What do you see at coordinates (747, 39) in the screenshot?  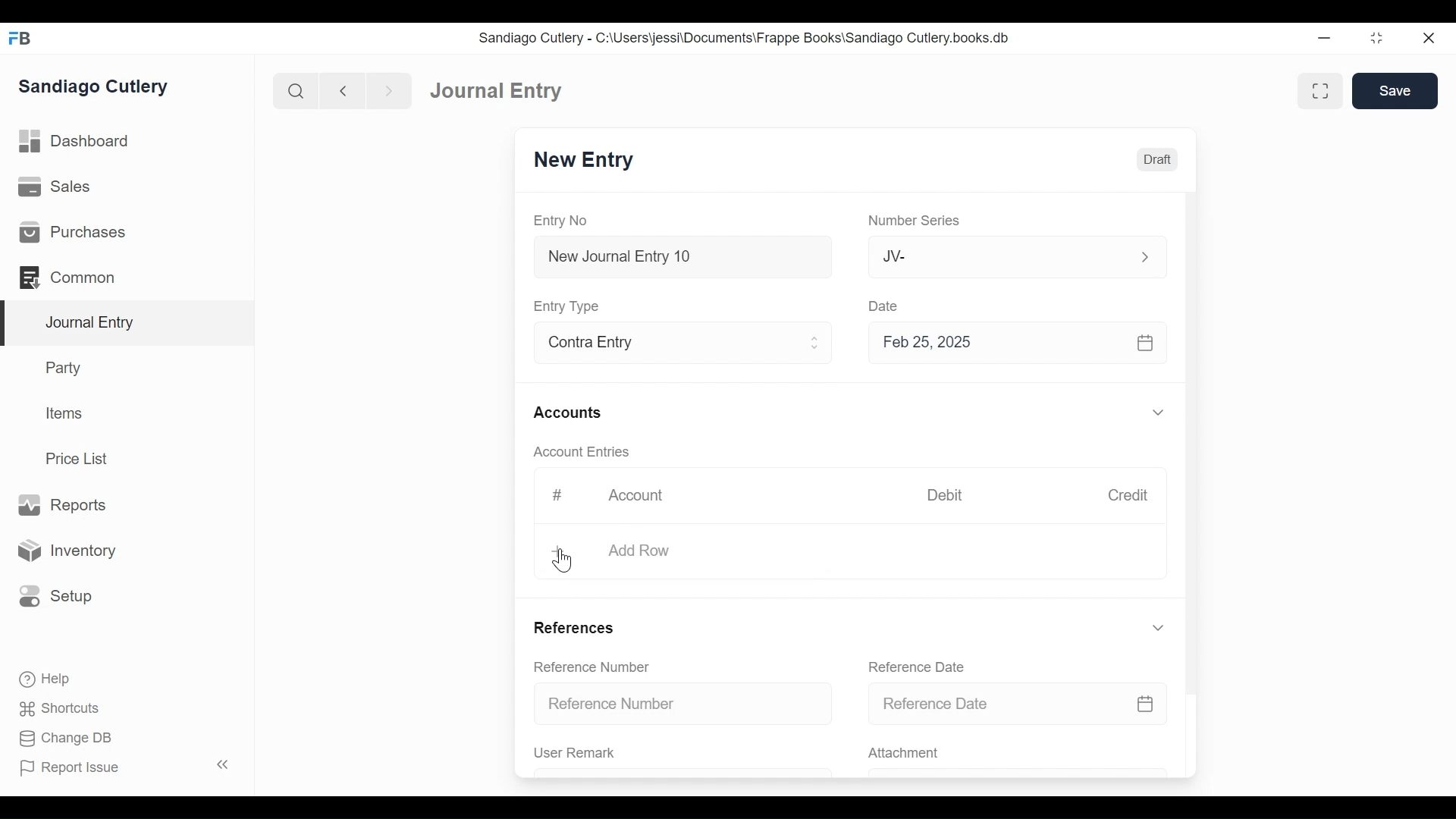 I see `Sandiago Cutlery - C:\Users\jessi\Documents\Frappe Books\Sandiago Cutlery.books.db` at bounding box center [747, 39].